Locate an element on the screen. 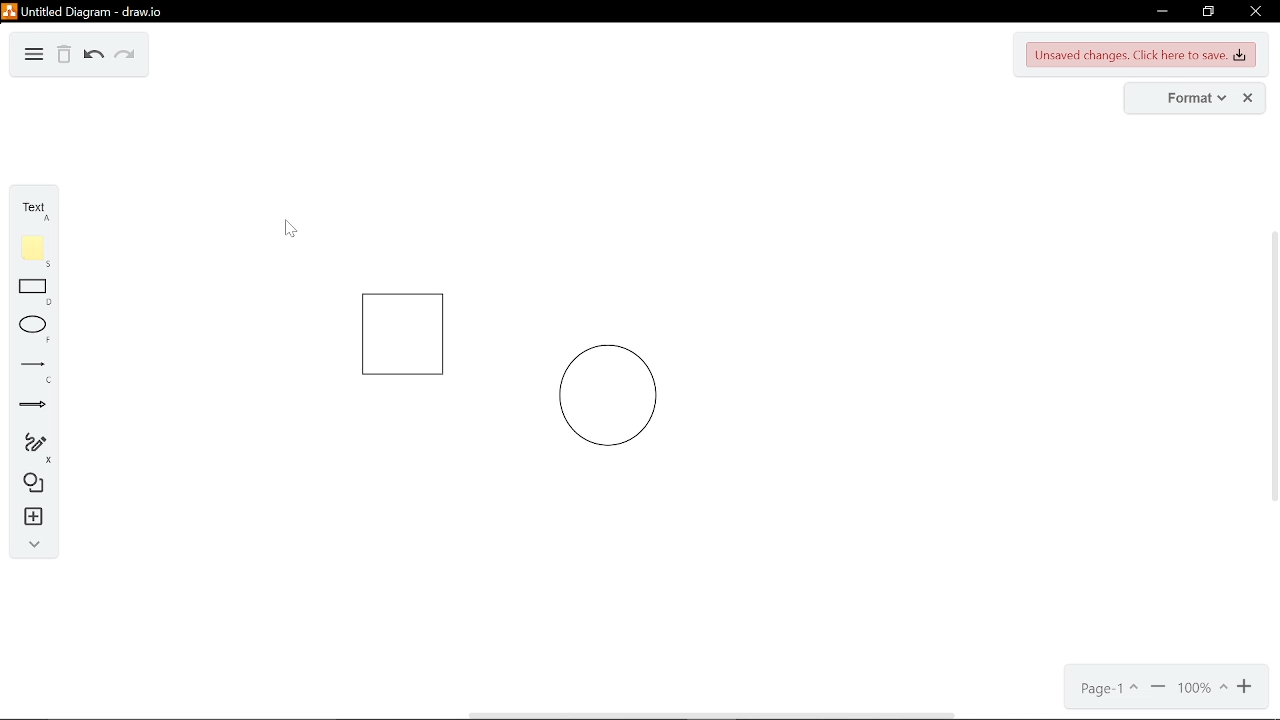 This screenshot has width=1280, height=720. arrow is located at coordinates (30, 405).